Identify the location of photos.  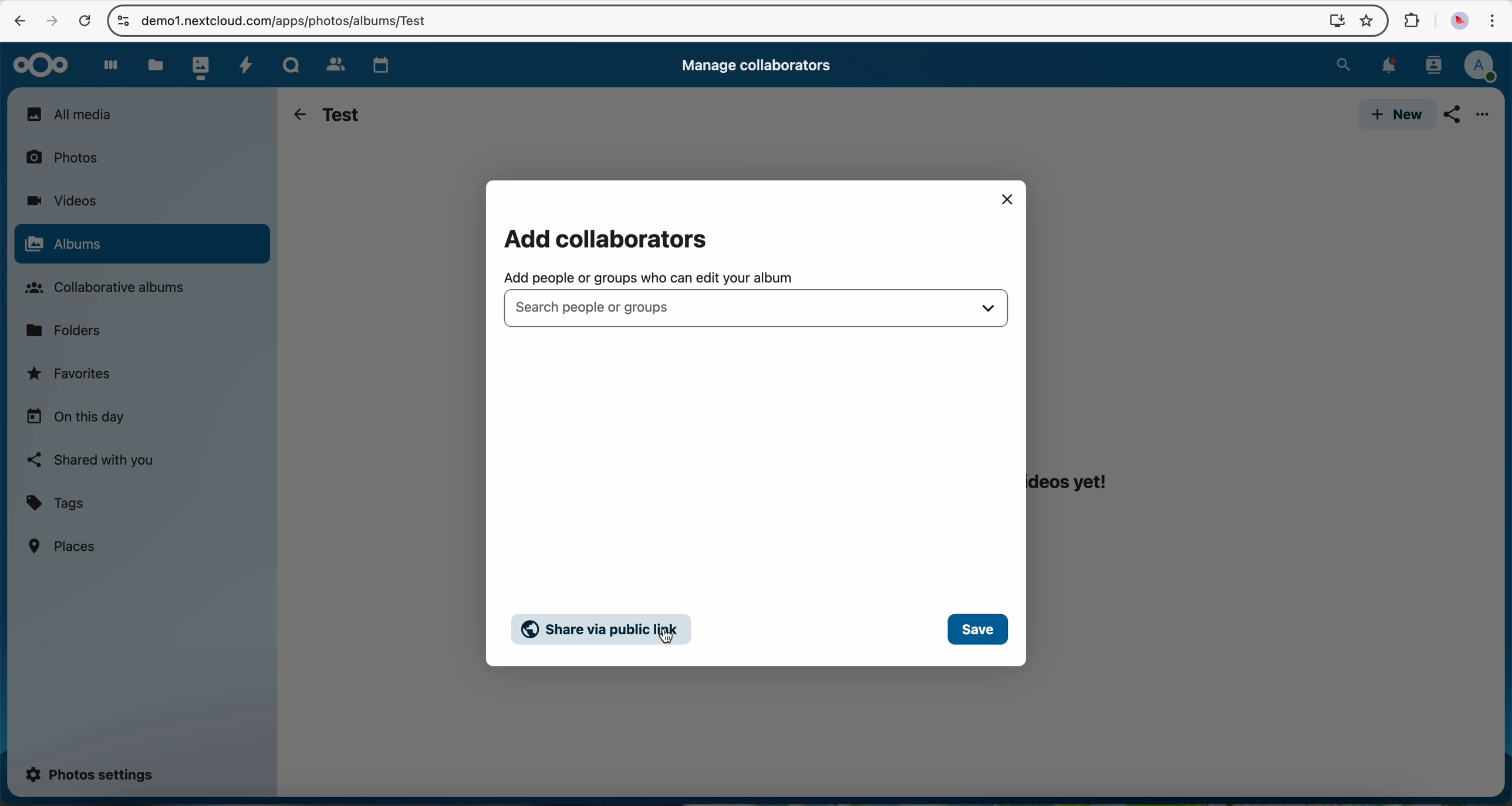
(69, 156).